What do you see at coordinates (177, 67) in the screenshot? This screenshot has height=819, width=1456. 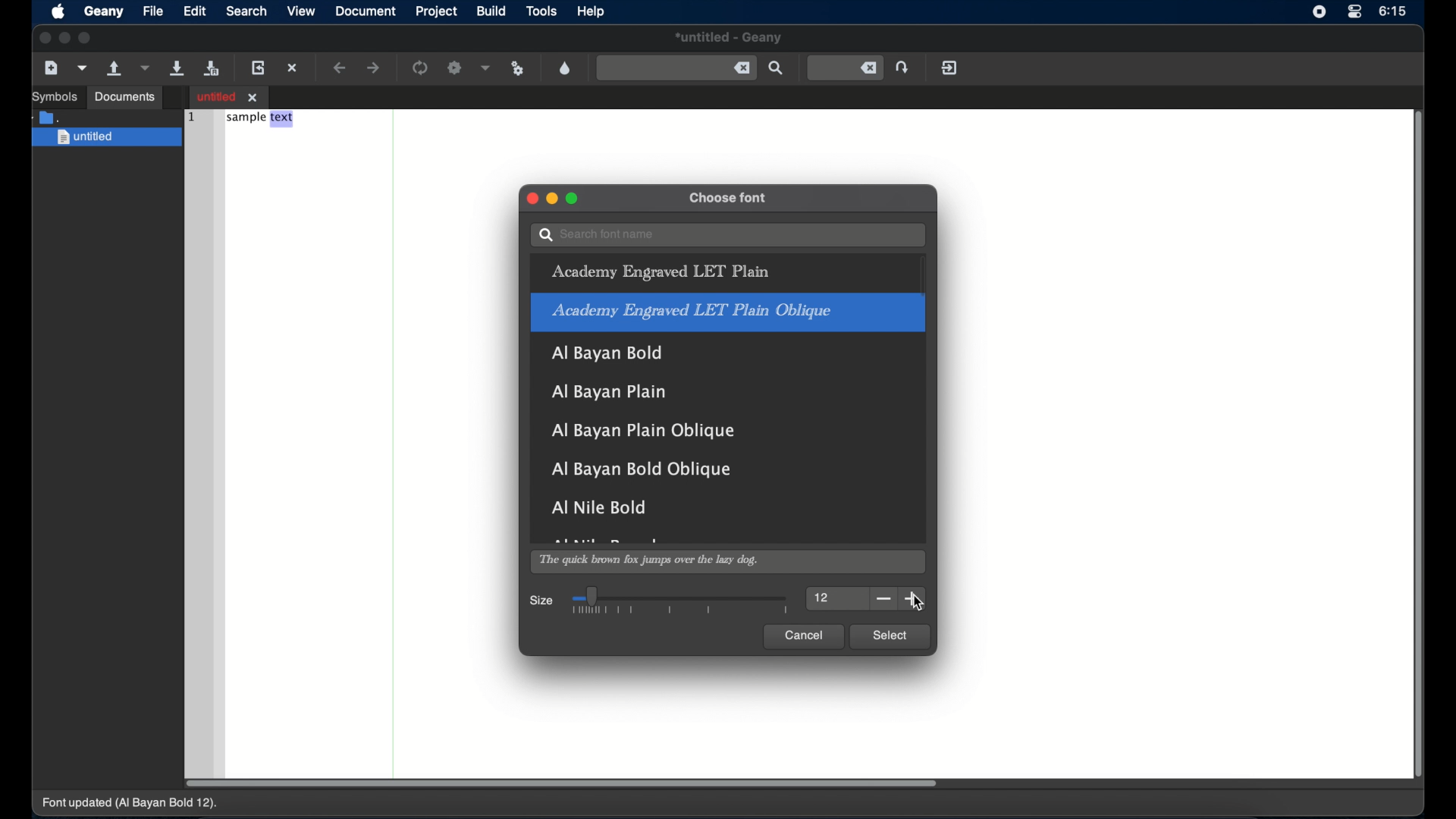 I see `save the current file` at bounding box center [177, 67].